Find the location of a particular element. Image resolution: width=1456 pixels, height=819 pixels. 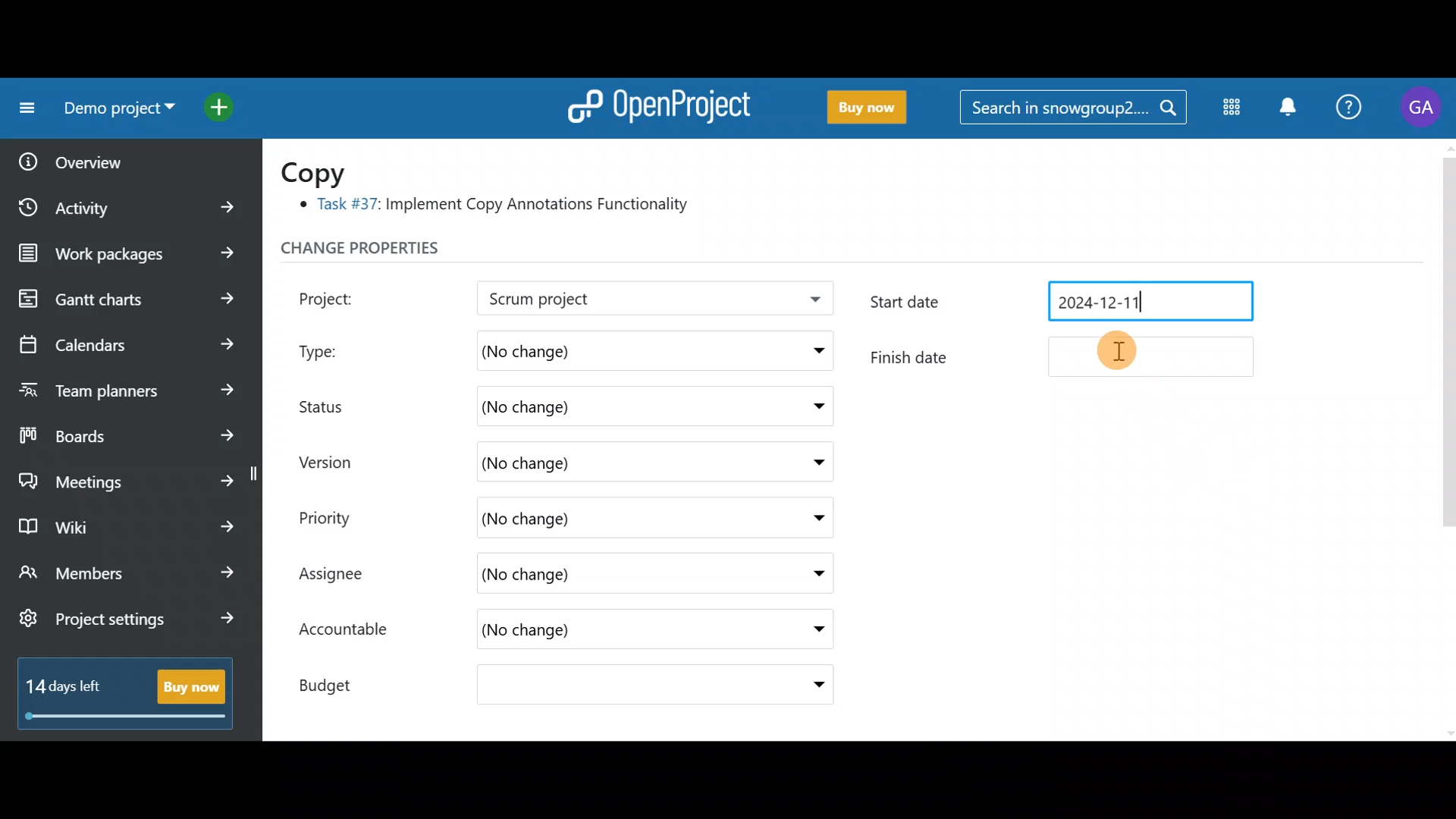

Meetings is located at coordinates (127, 478).